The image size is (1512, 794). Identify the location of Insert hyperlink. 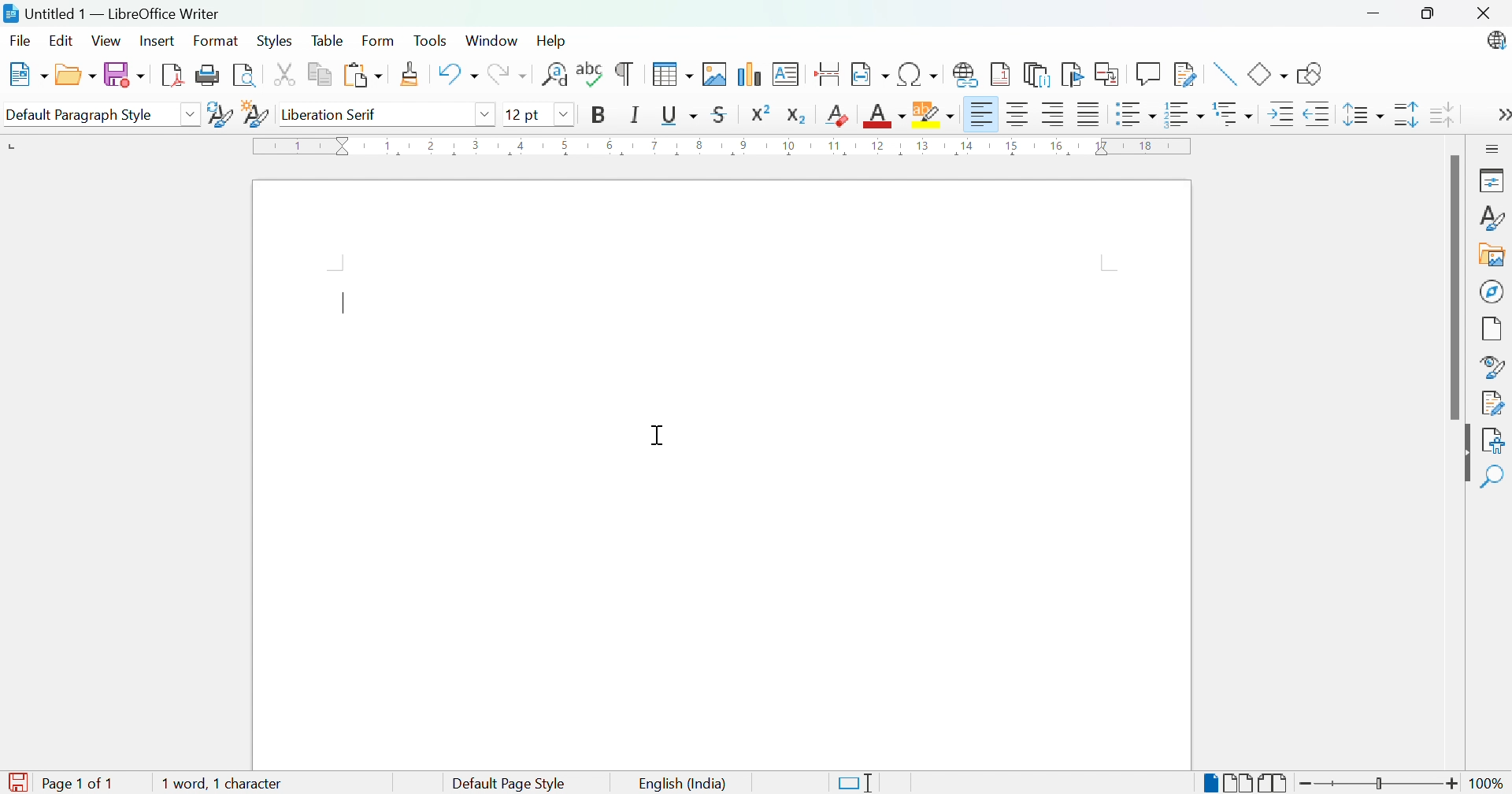
(965, 77).